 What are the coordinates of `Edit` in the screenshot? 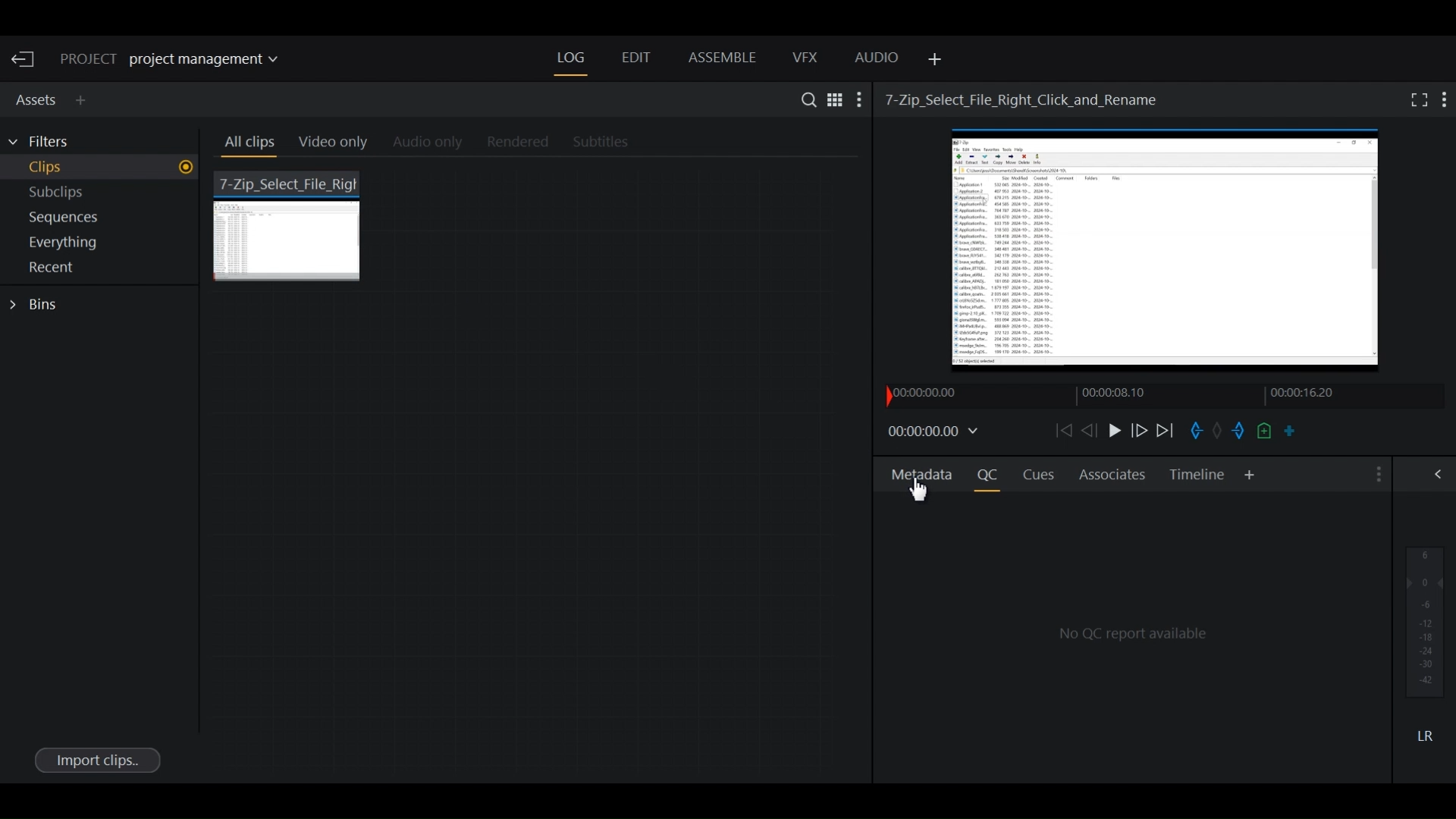 It's located at (635, 59).